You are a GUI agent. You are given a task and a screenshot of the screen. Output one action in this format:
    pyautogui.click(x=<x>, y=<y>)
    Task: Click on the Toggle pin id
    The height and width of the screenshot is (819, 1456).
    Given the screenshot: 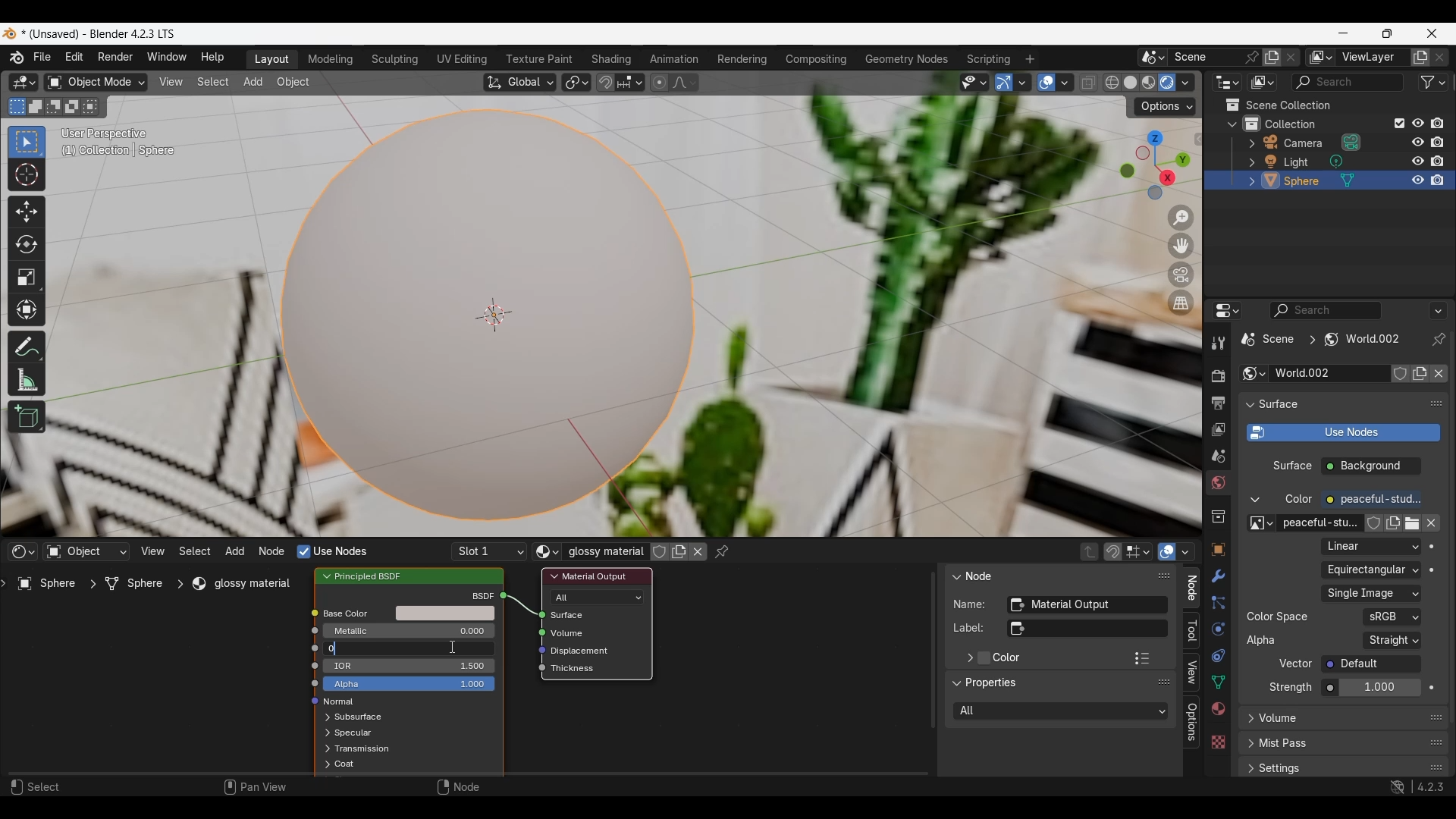 What is the action you would take?
    pyautogui.click(x=1439, y=339)
    